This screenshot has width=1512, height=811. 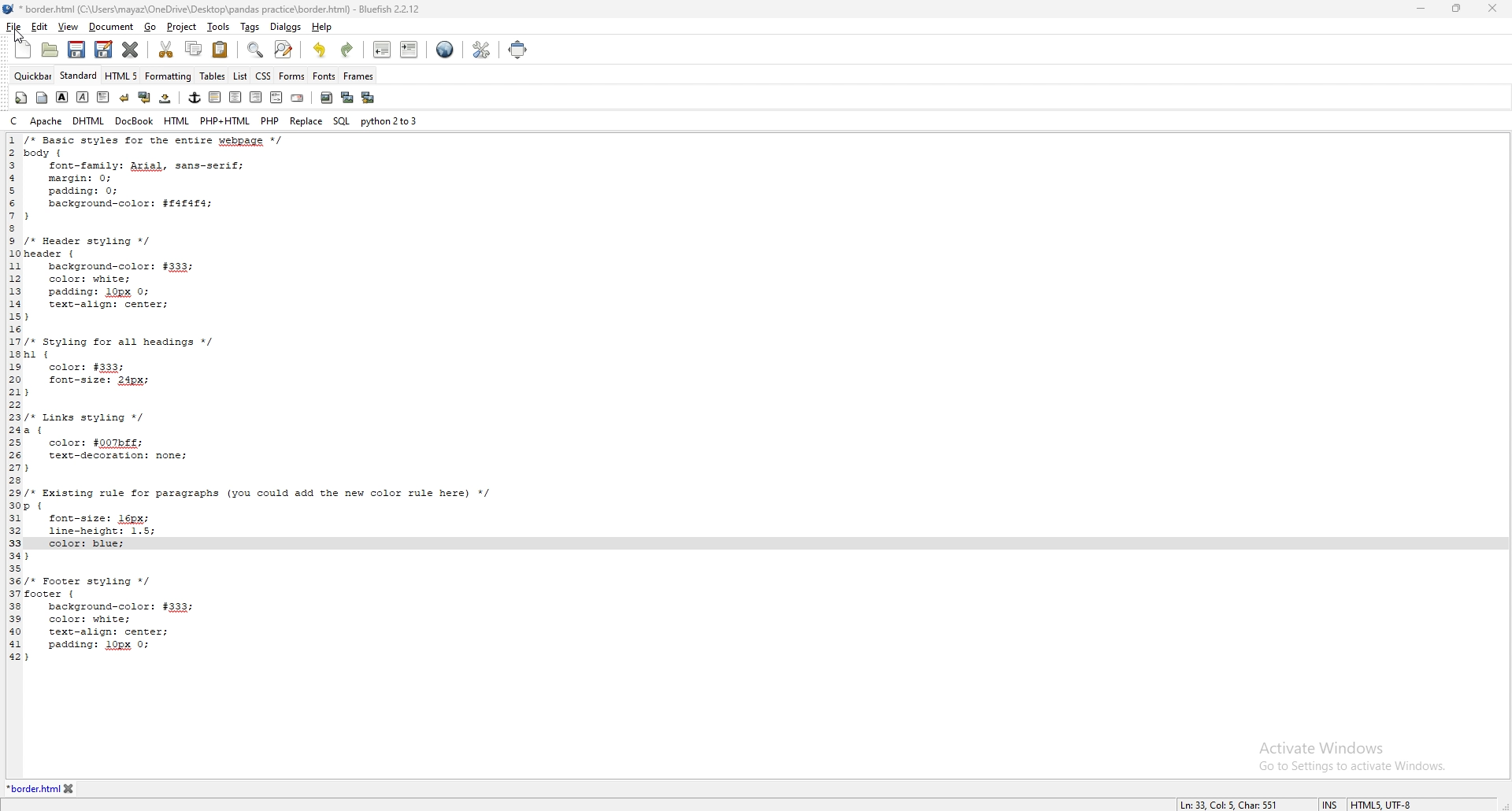 I want to click on full screen, so click(x=516, y=50).